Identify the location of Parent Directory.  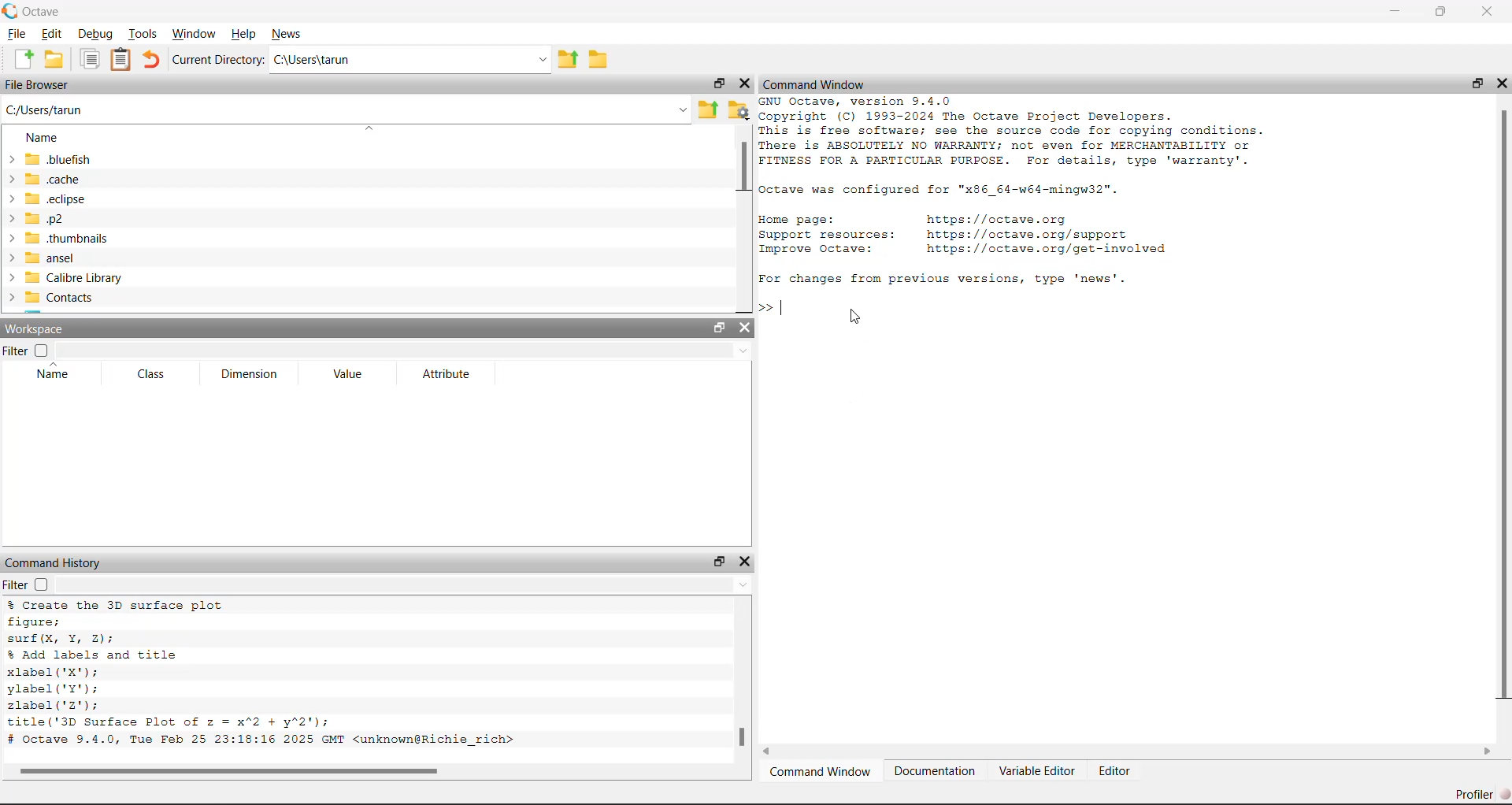
(709, 109).